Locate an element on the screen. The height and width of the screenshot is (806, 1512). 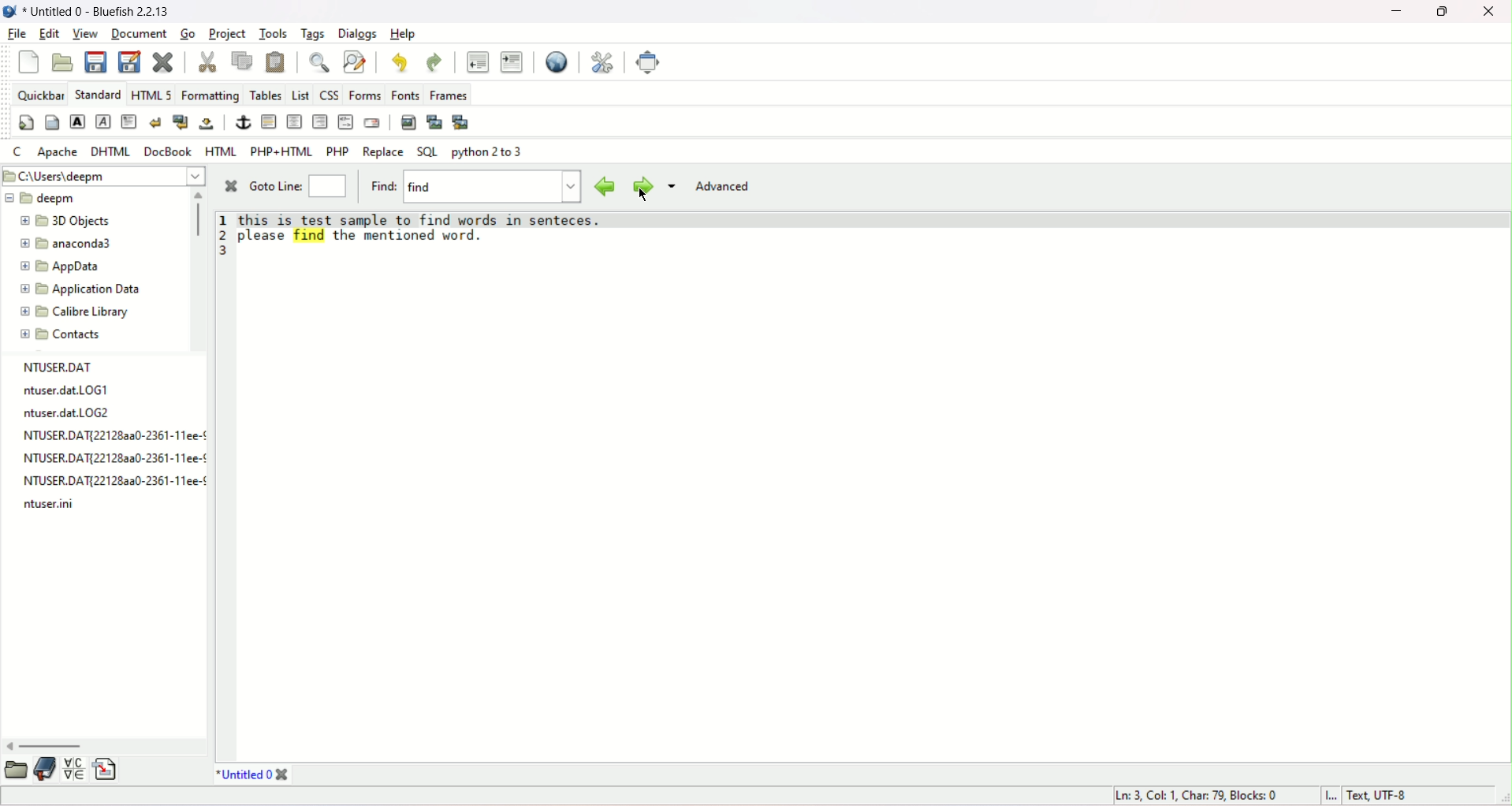
strong is located at coordinates (77, 121).